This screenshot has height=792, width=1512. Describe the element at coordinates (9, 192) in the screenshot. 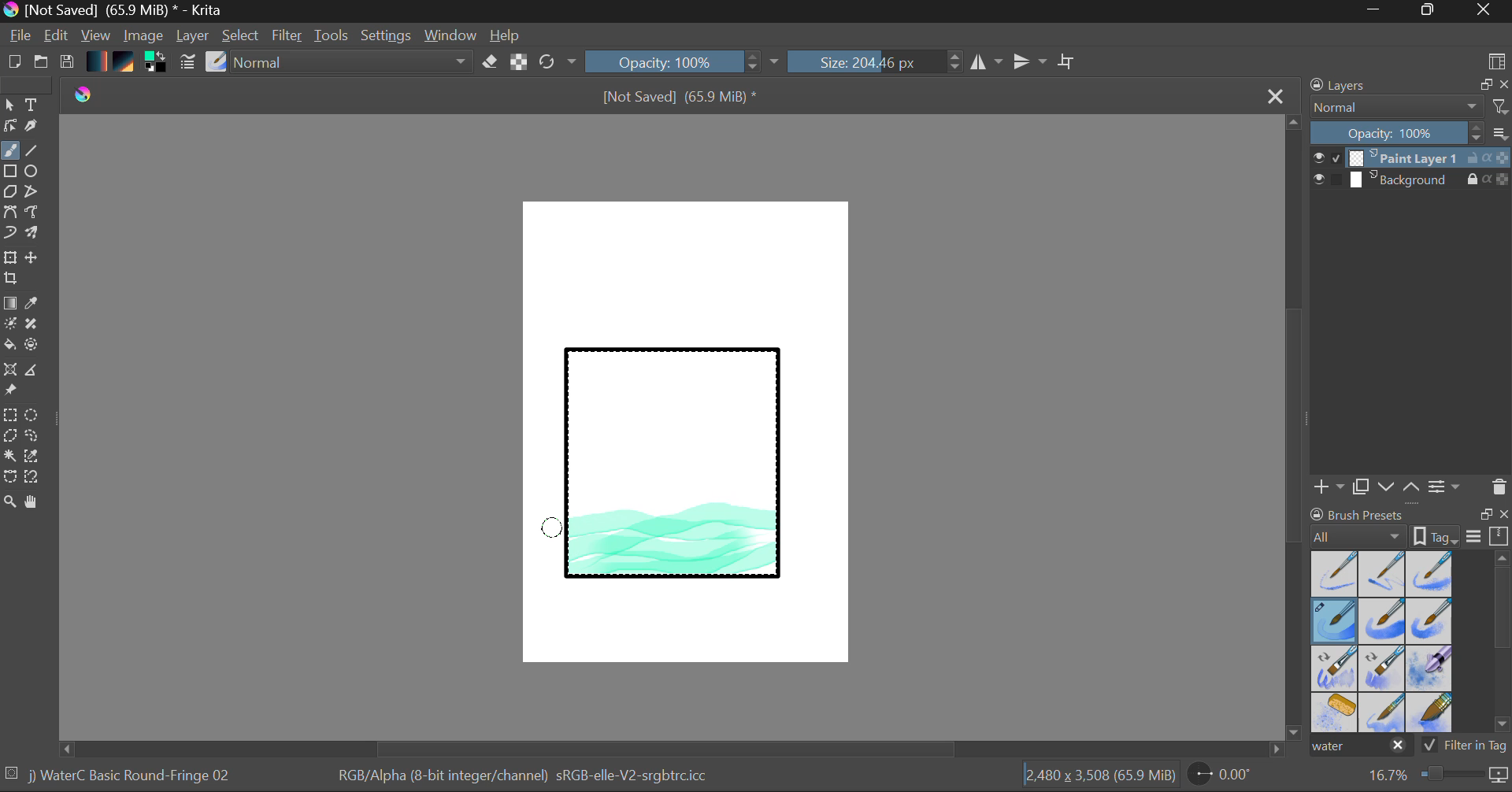

I see `Polygon` at that location.